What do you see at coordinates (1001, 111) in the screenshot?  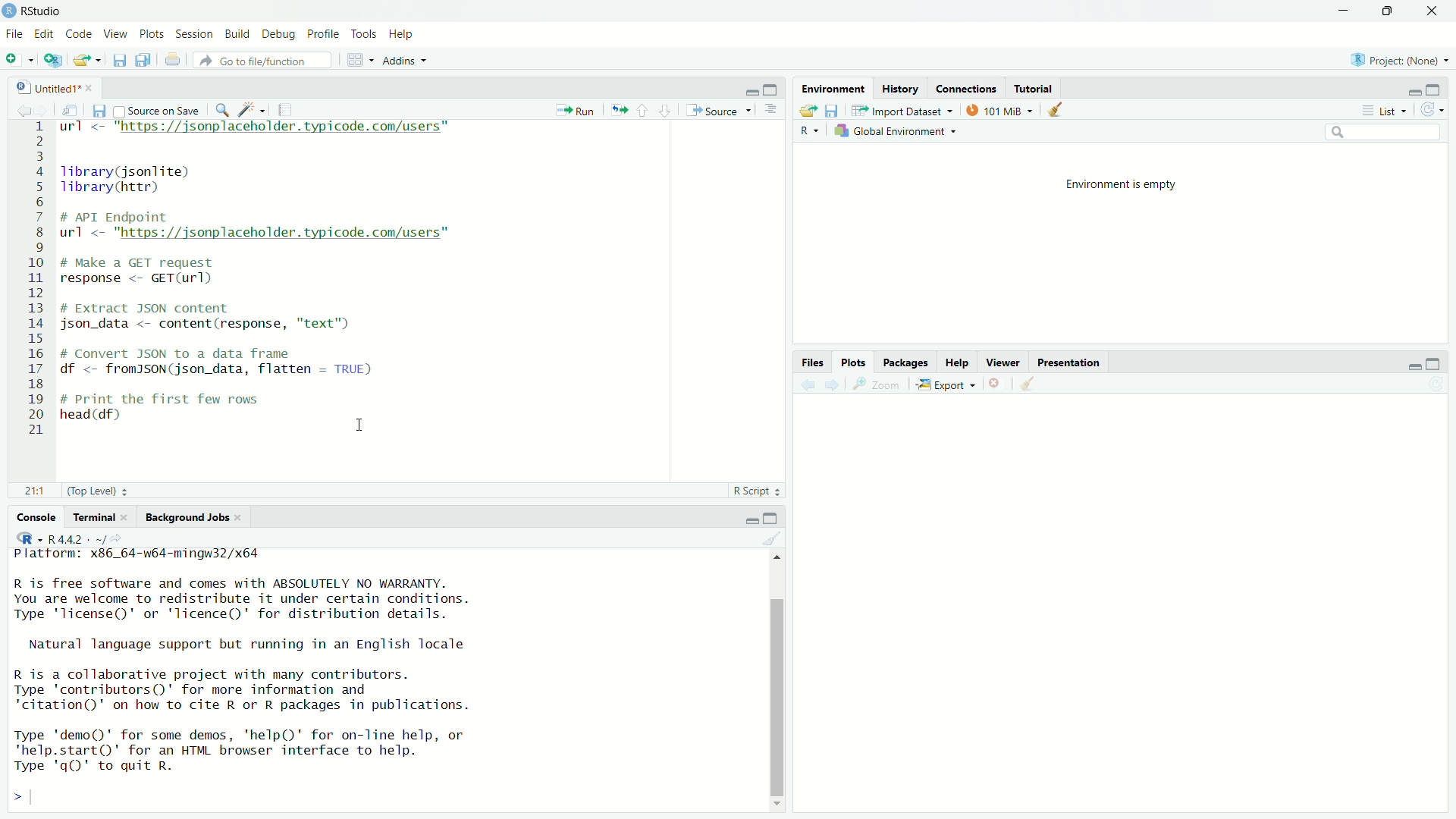 I see `101 MiB` at bounding box center [1001, 111].